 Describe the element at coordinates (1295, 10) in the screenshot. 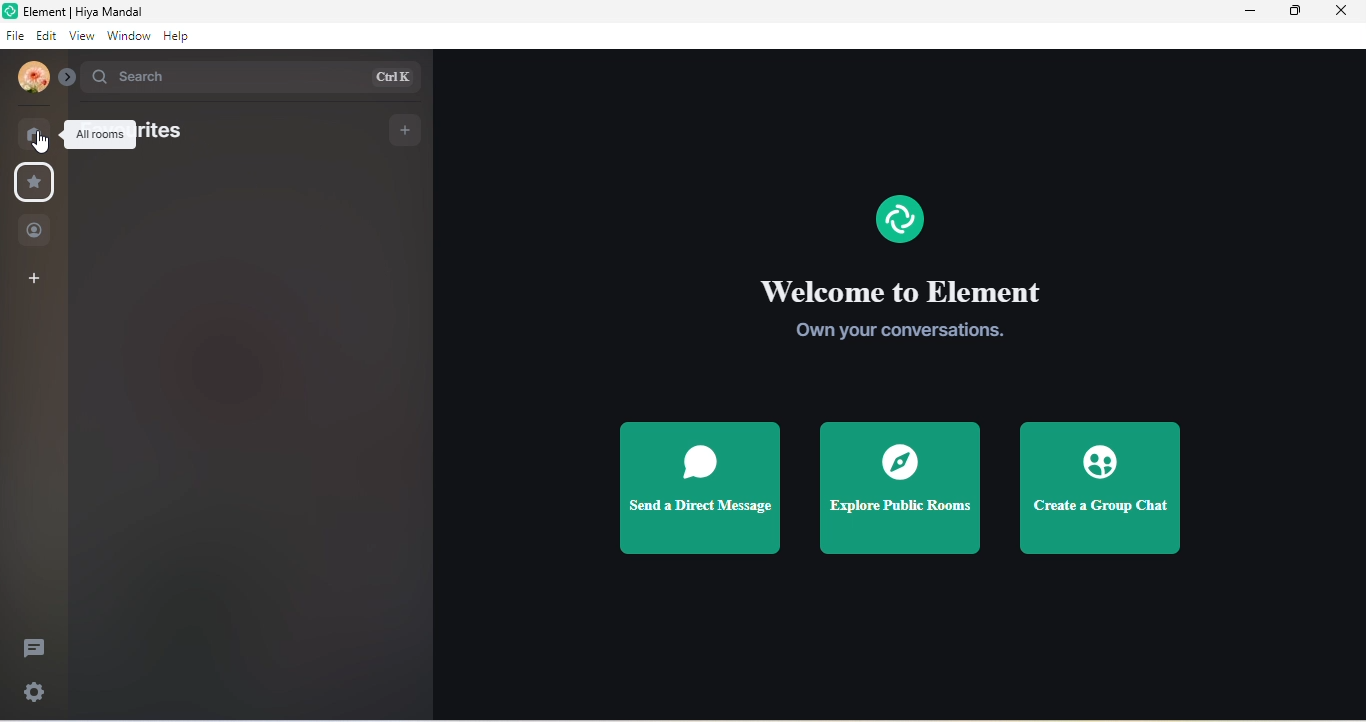

I see `restore` at that location.